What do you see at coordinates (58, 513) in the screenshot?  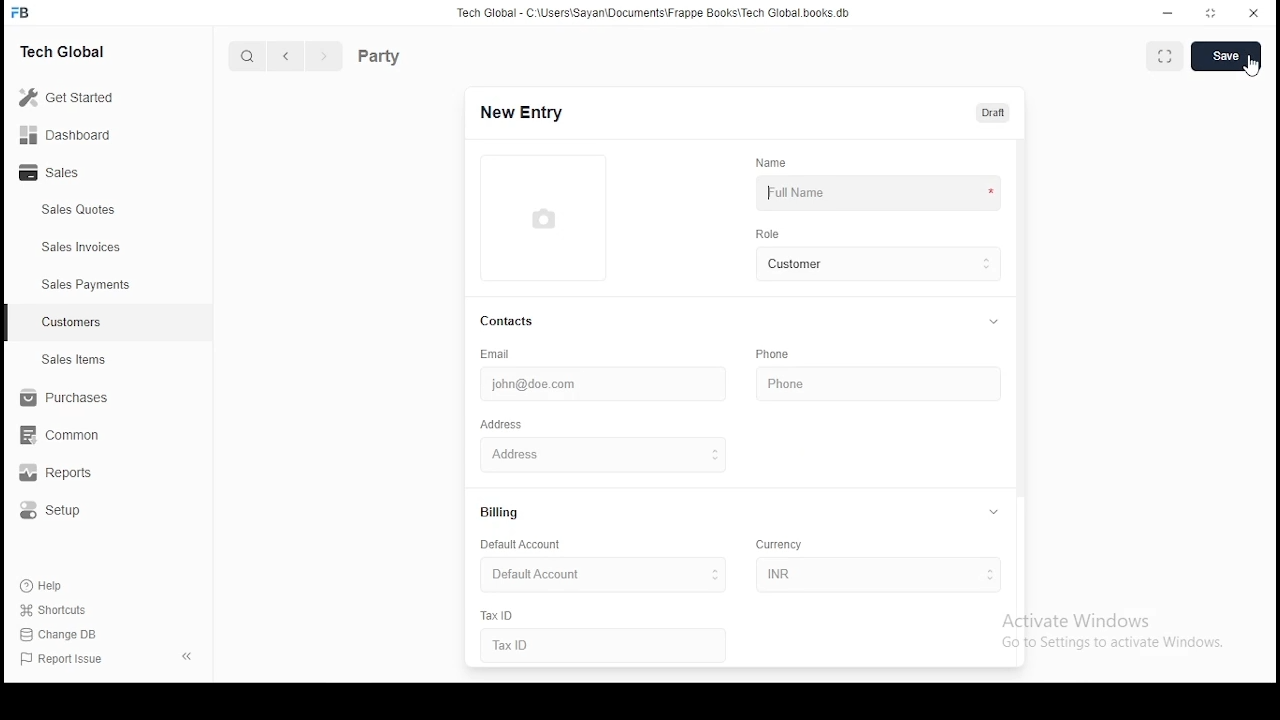 I see `setup` at bounding box center [58, 513].